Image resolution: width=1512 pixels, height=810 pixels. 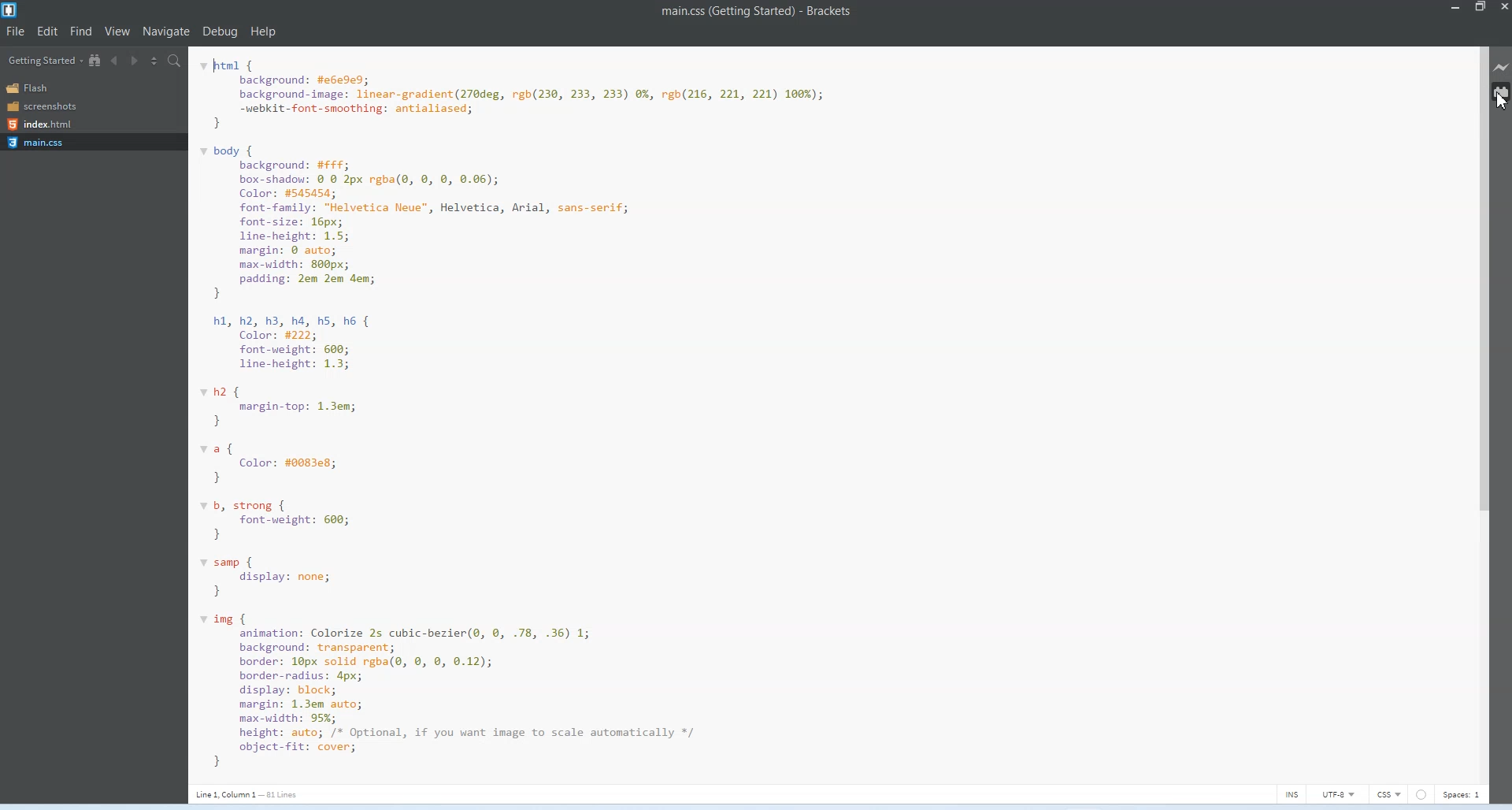 I want to click on Circle, so click(x=1423, y=794).